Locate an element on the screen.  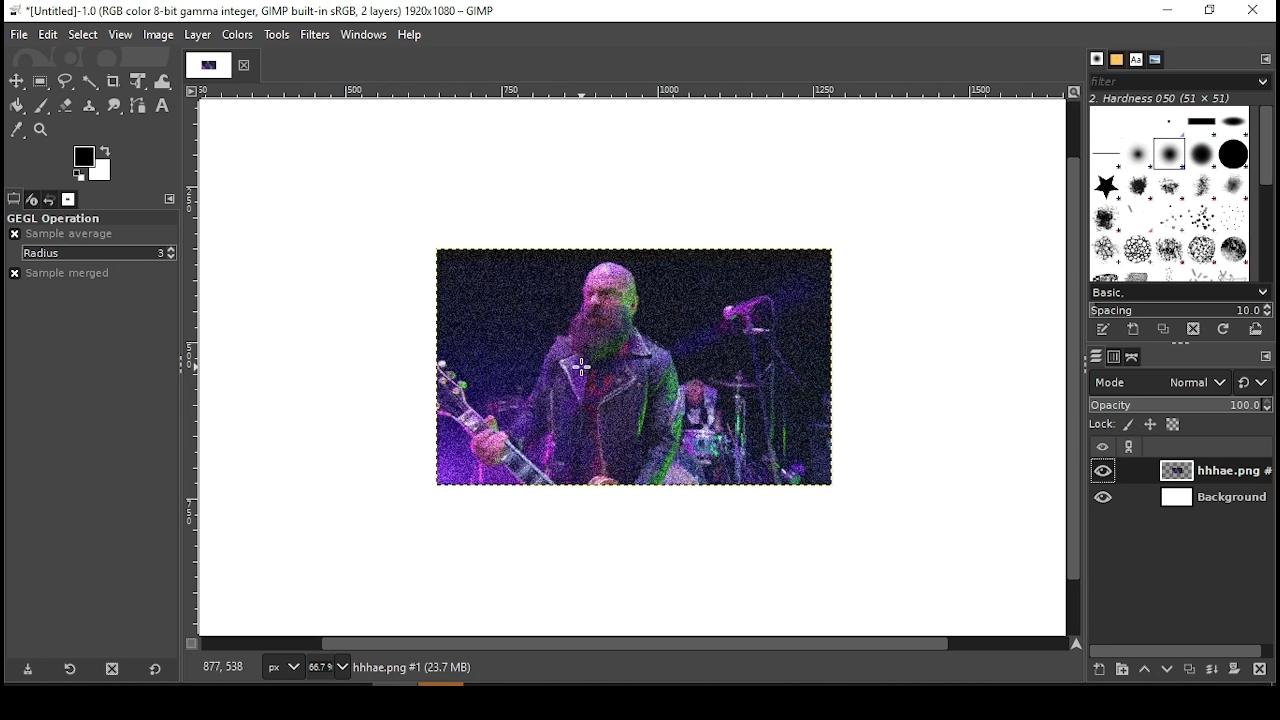
duplicate this brush is located at coordinates (1166, 330).